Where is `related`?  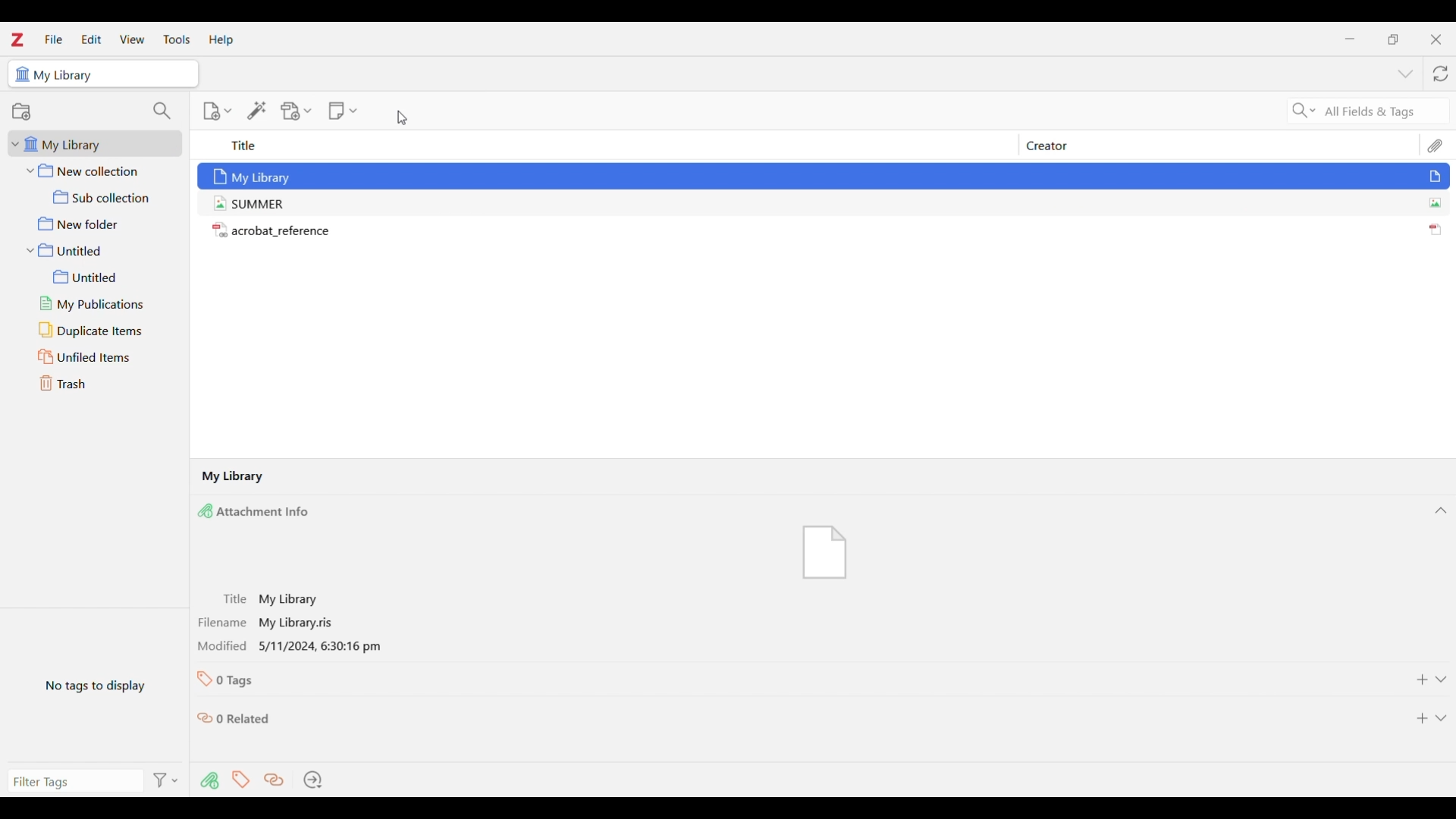 related is located at coordinates (268, 783).